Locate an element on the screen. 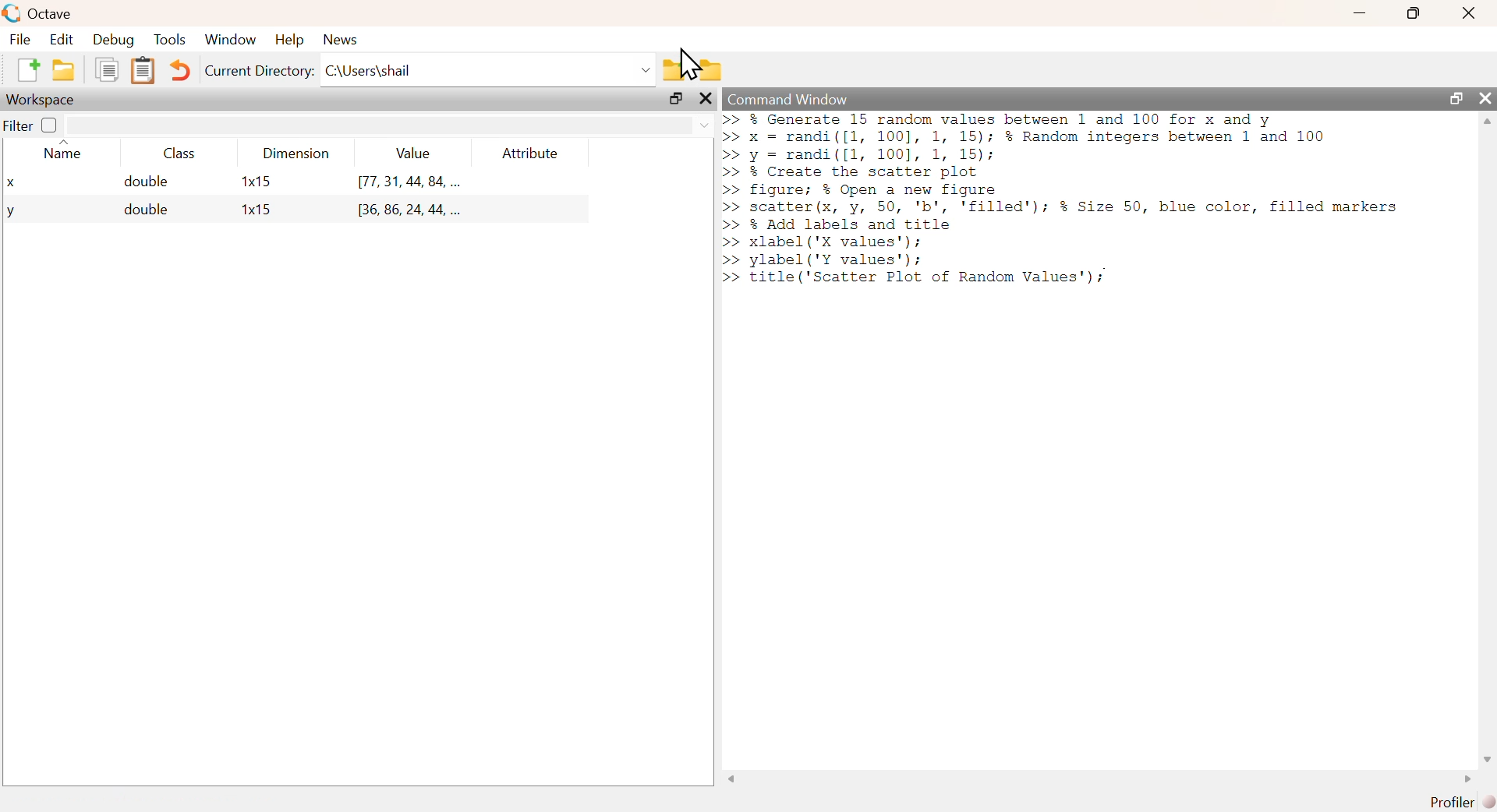 The height and width of the screenshot is (812, 1497). Undo is located at coordinates (179, 70).